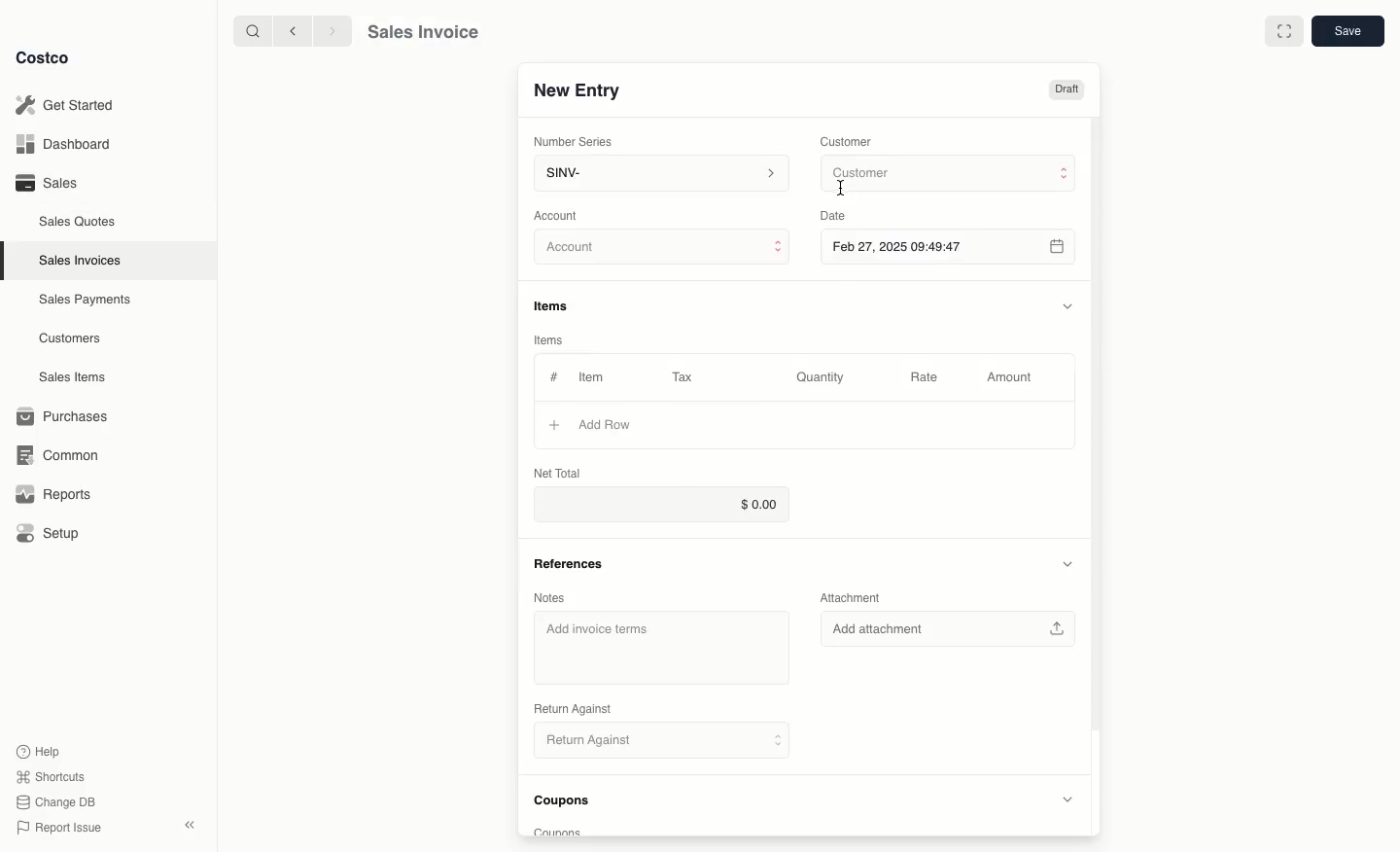 The width and height of the screenshot is (1400, 852). What do you see at coordinates (44, 58) in the screenshot?
I see `Costco` at bounding box center [44, 58].